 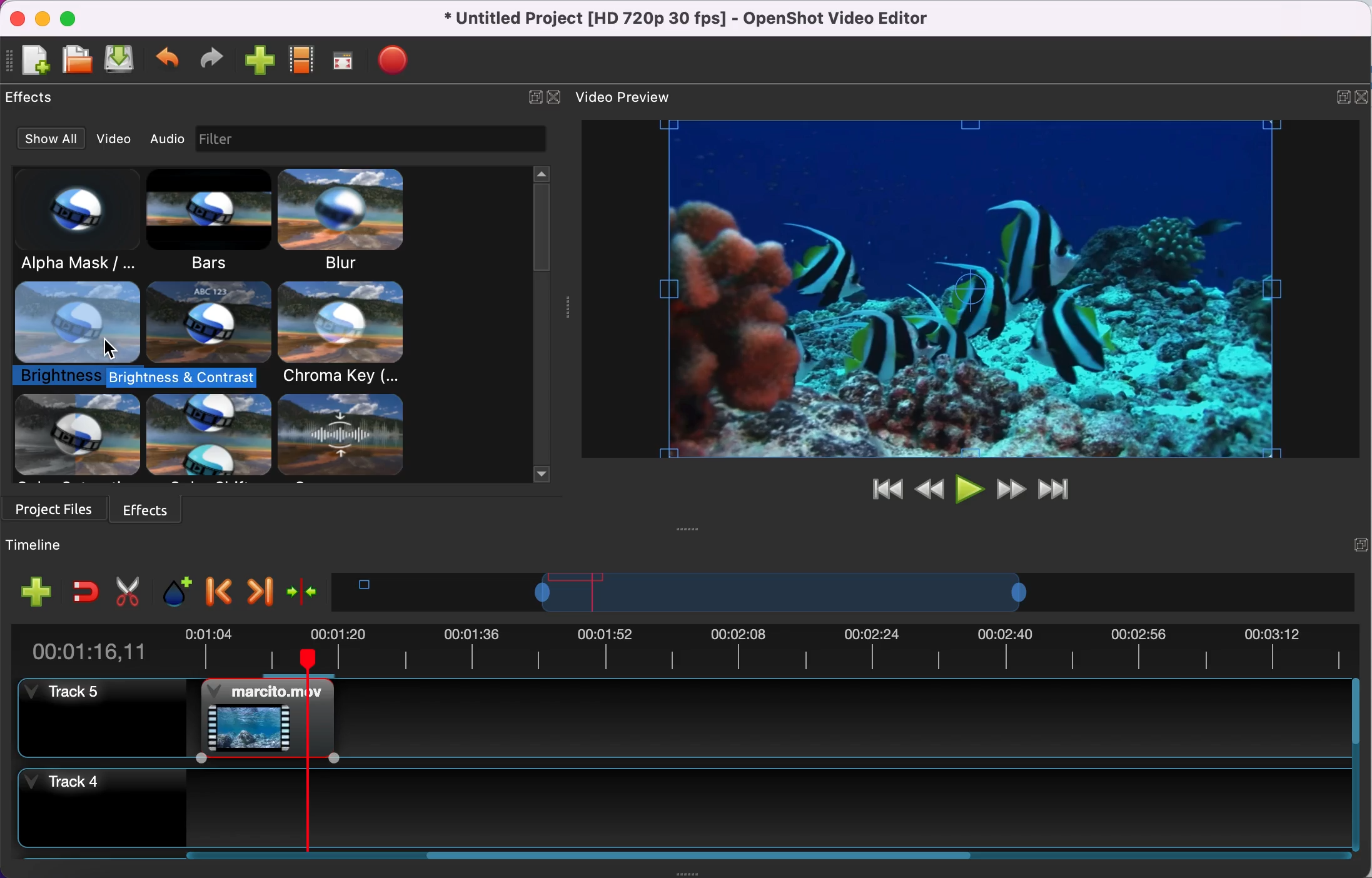 What do you see at coordinates (43, 16) in the screenshot?
I see `minimize` at bounding box center [43, 16].